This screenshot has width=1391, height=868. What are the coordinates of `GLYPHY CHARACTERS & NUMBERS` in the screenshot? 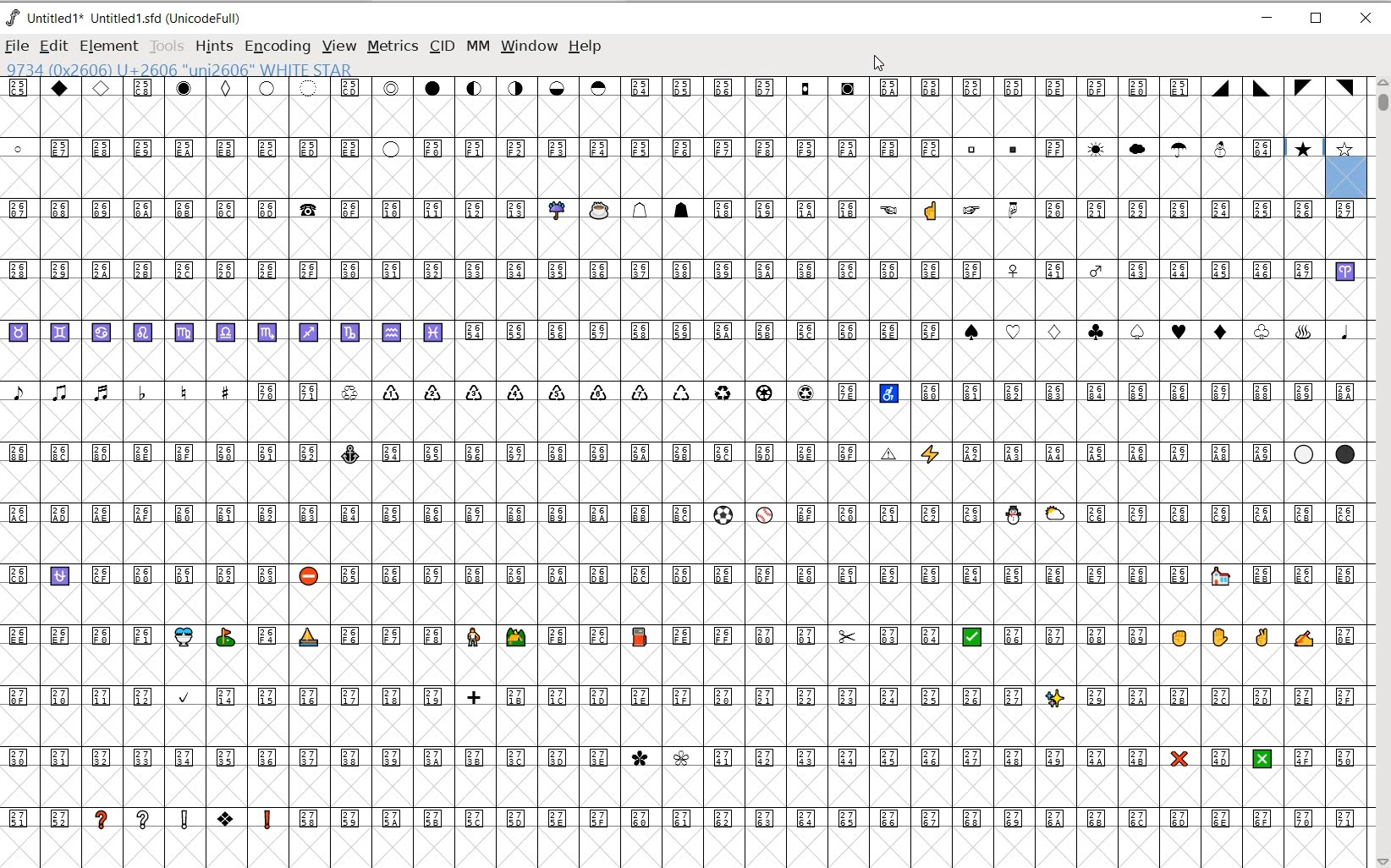 It's located at (954, 428).